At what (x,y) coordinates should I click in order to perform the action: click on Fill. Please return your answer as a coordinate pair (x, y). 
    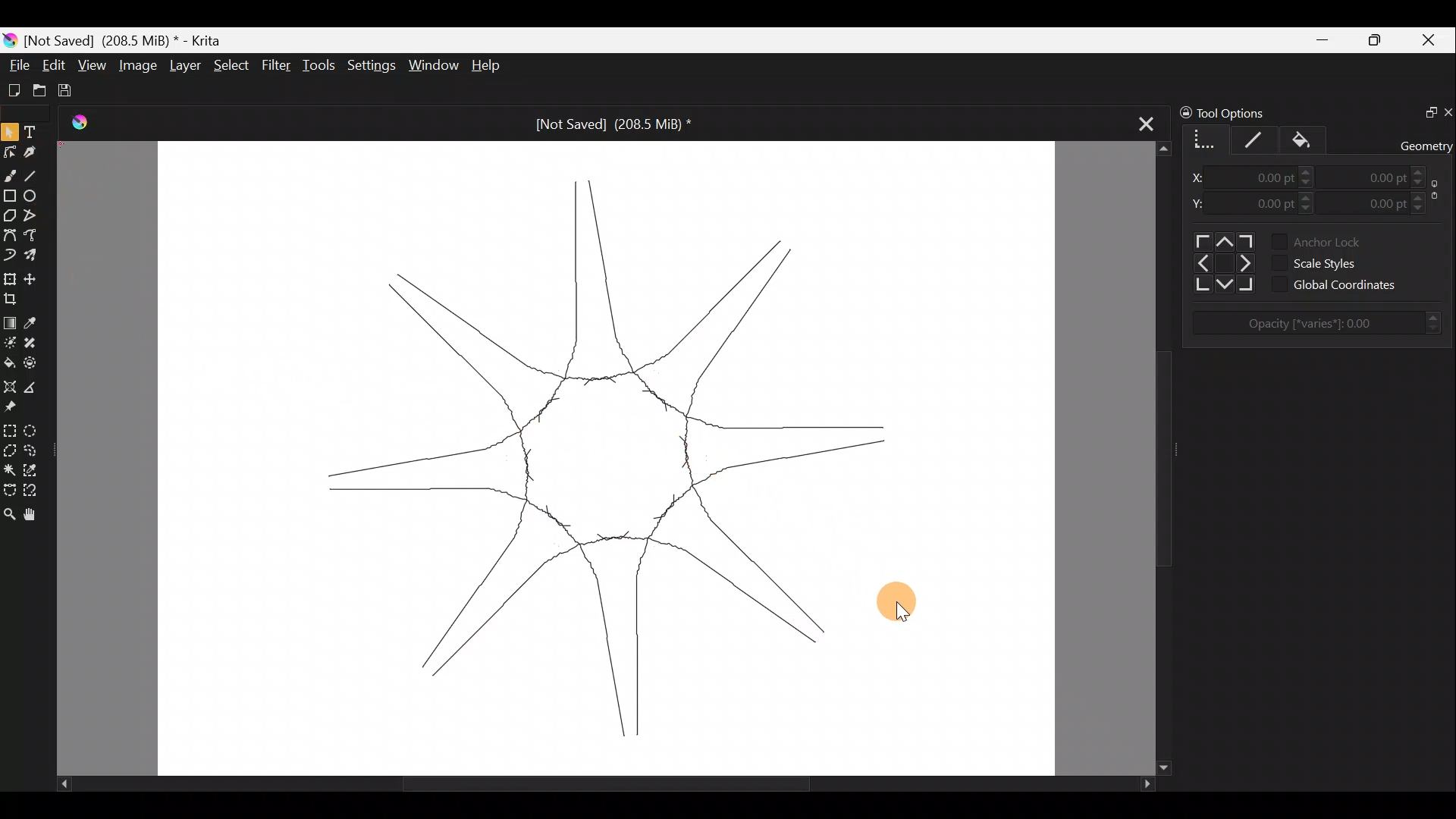
    Looking at the image, I should click on (1310, 140).